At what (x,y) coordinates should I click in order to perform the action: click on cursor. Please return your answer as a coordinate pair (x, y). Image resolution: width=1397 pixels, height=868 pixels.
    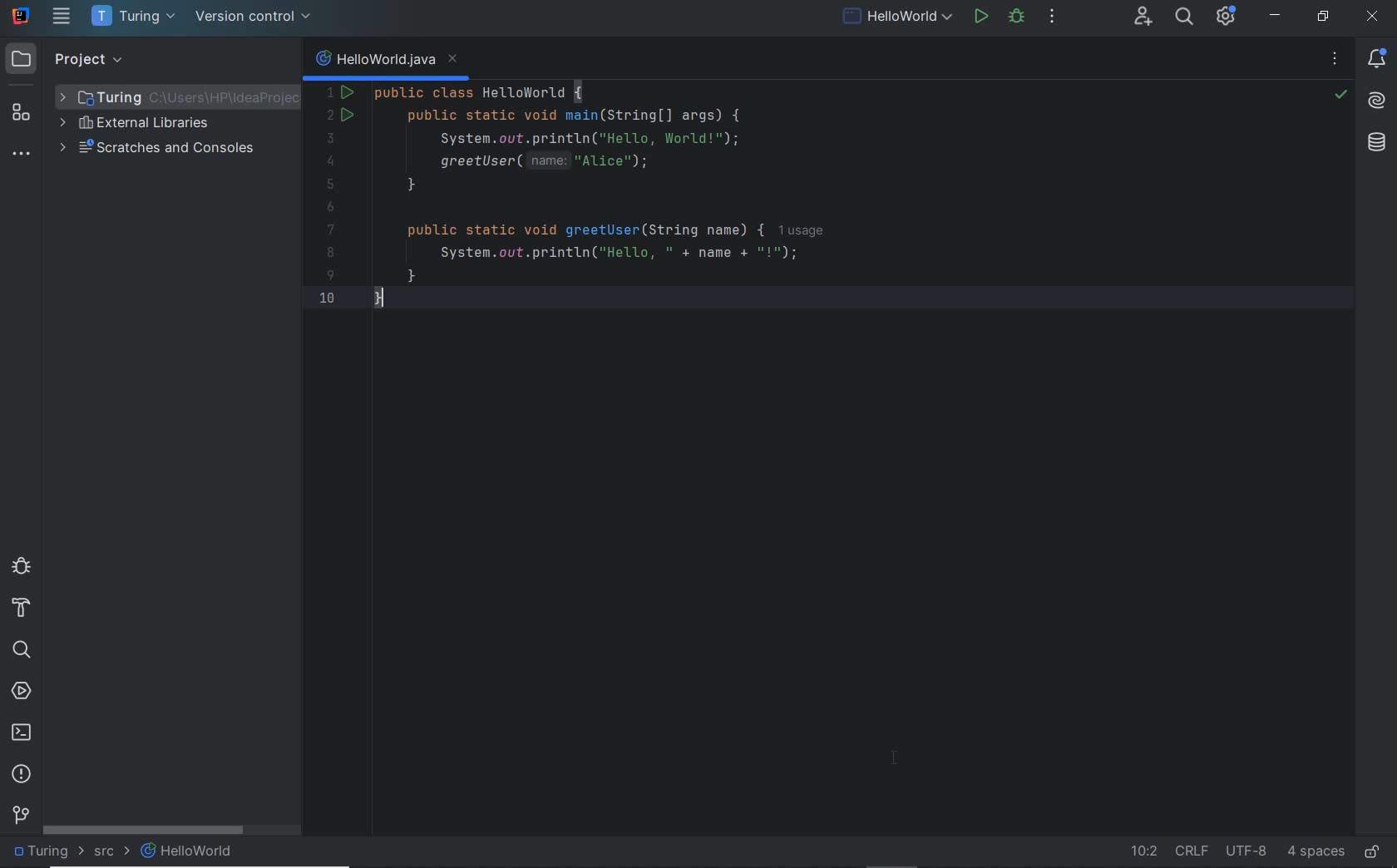
    Looking at the image, I should click on (885, 756).